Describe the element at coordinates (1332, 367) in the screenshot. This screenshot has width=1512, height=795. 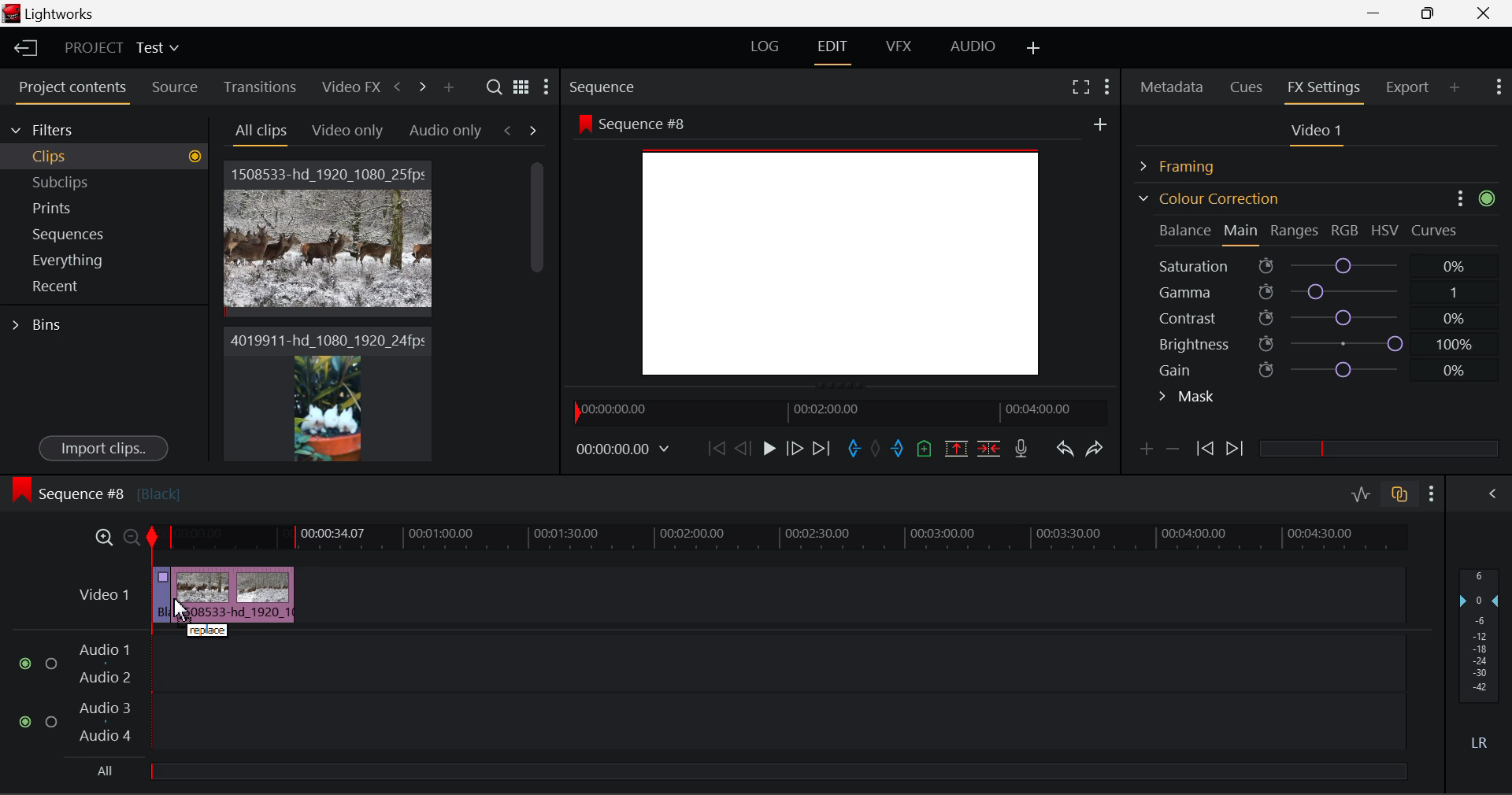
I see `Gain` at that location.